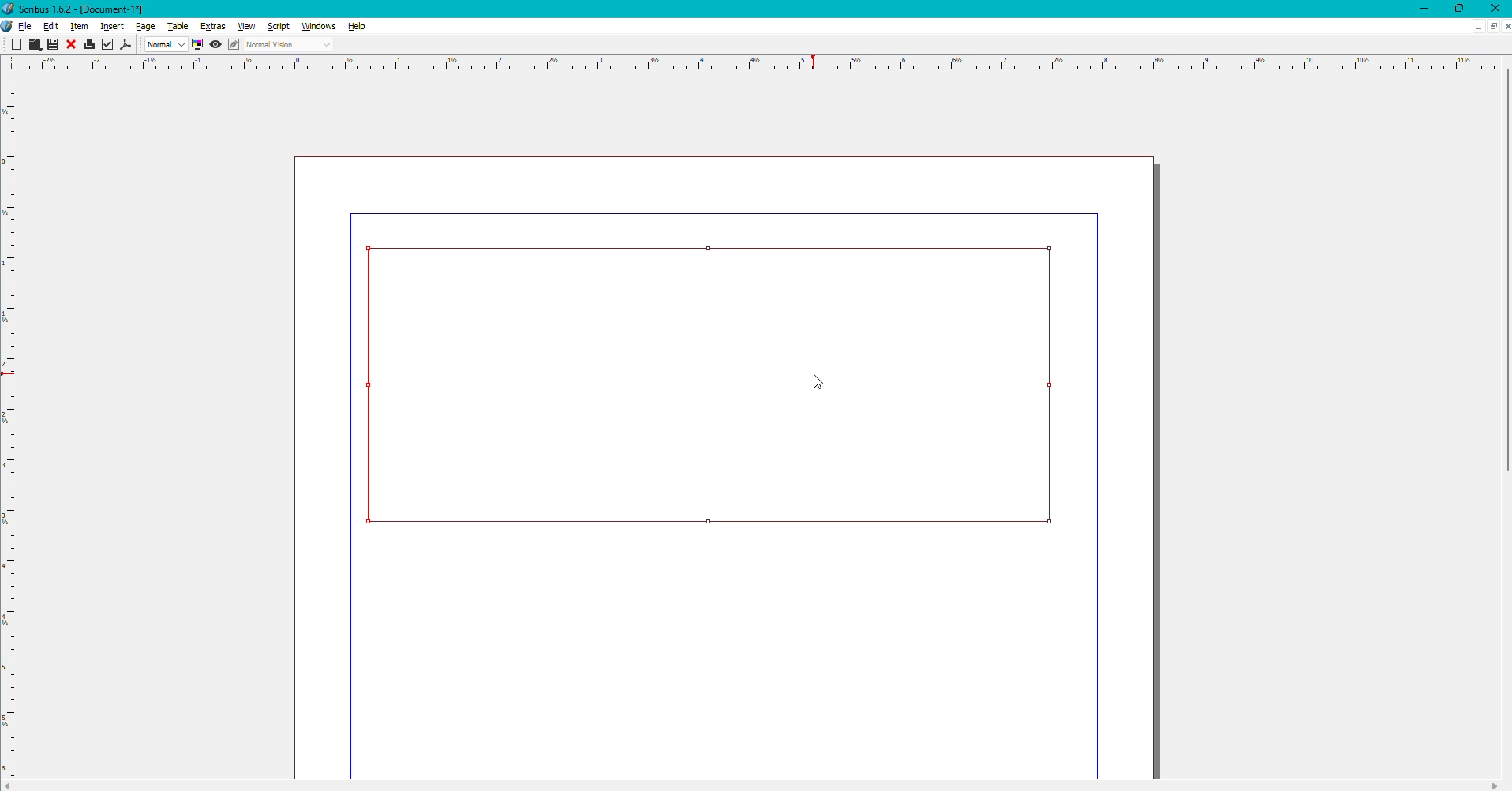 Image resolution: width=1512 pixels, height=791 pixels. I want to click on Restore, so click(1457, 9).